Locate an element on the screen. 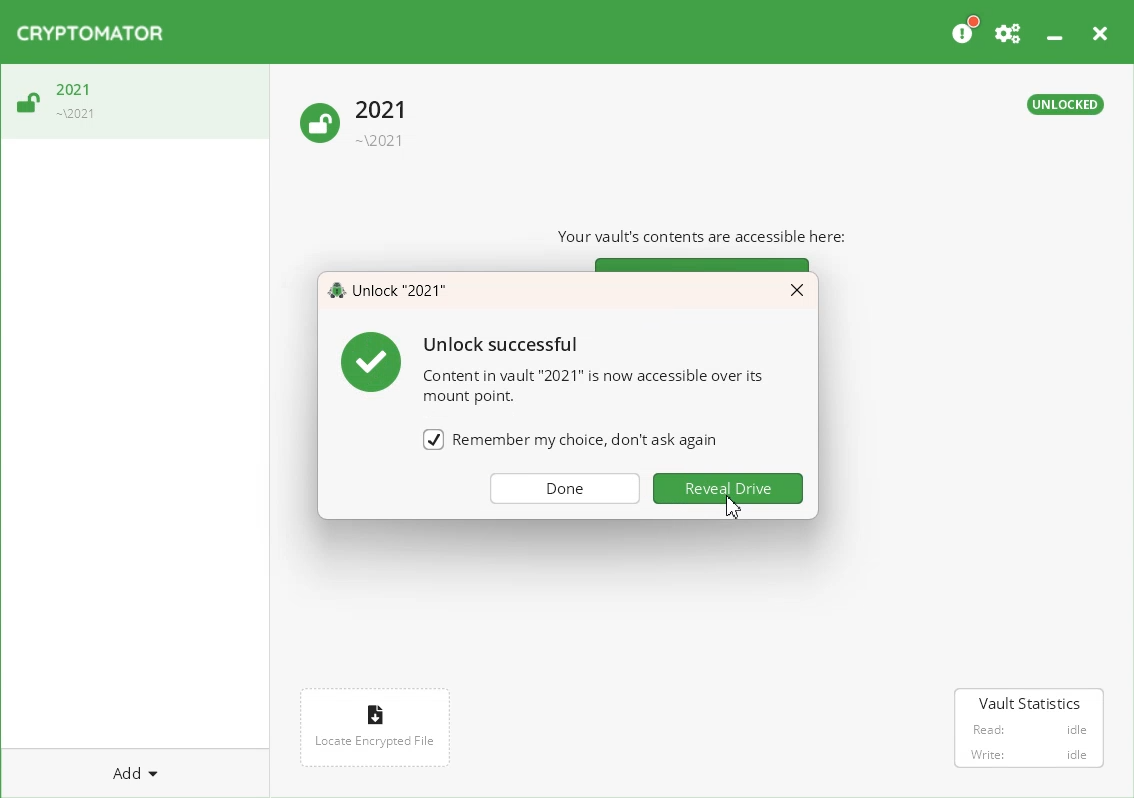 The image size is (1134, 798). Text is located at coordinates (389, 292).